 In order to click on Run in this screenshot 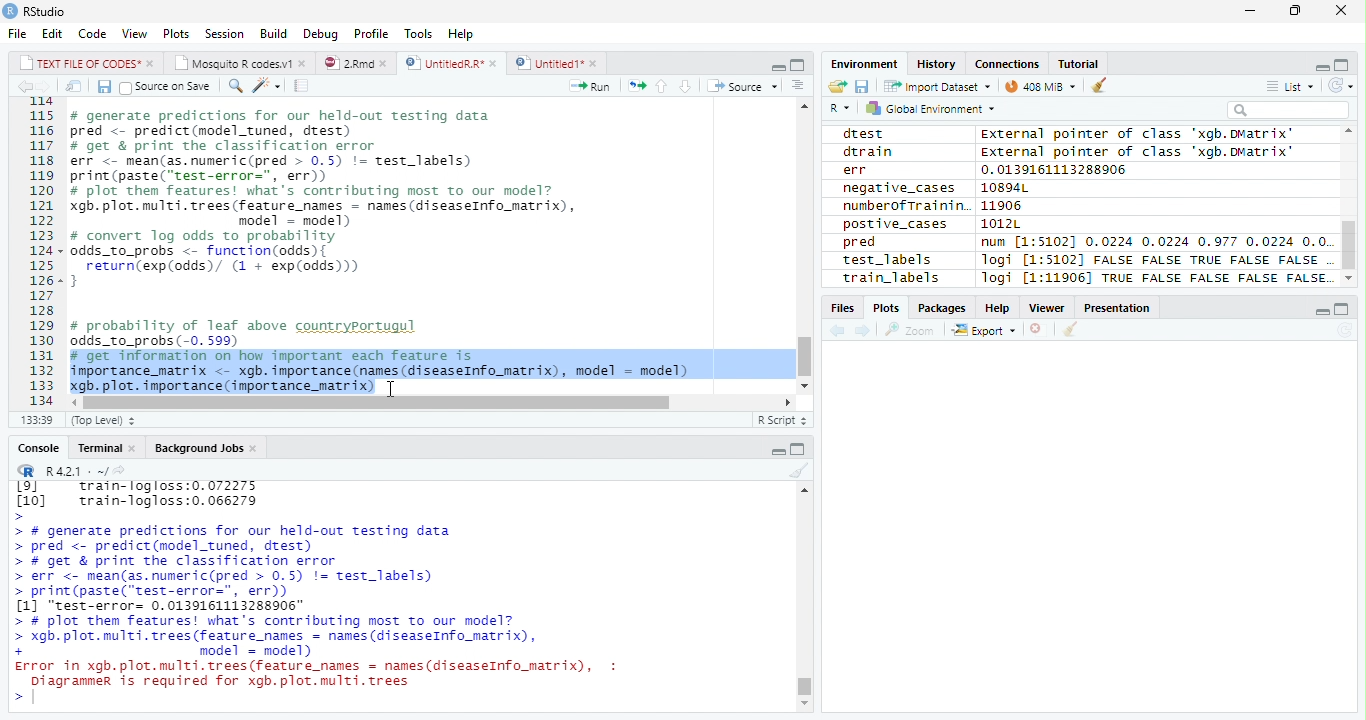, I will do `click(591, 85)`.